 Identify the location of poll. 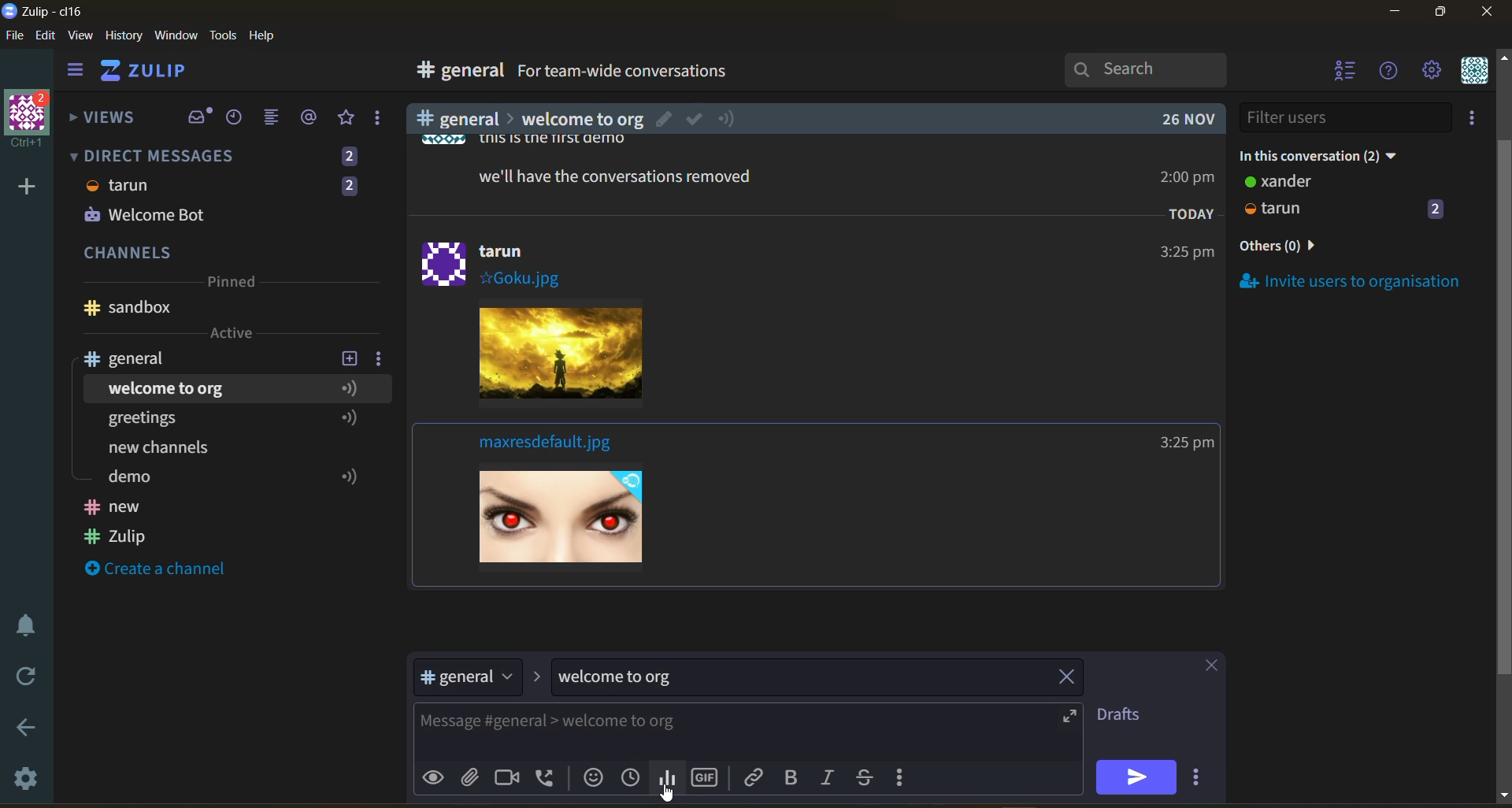
(671, 778).